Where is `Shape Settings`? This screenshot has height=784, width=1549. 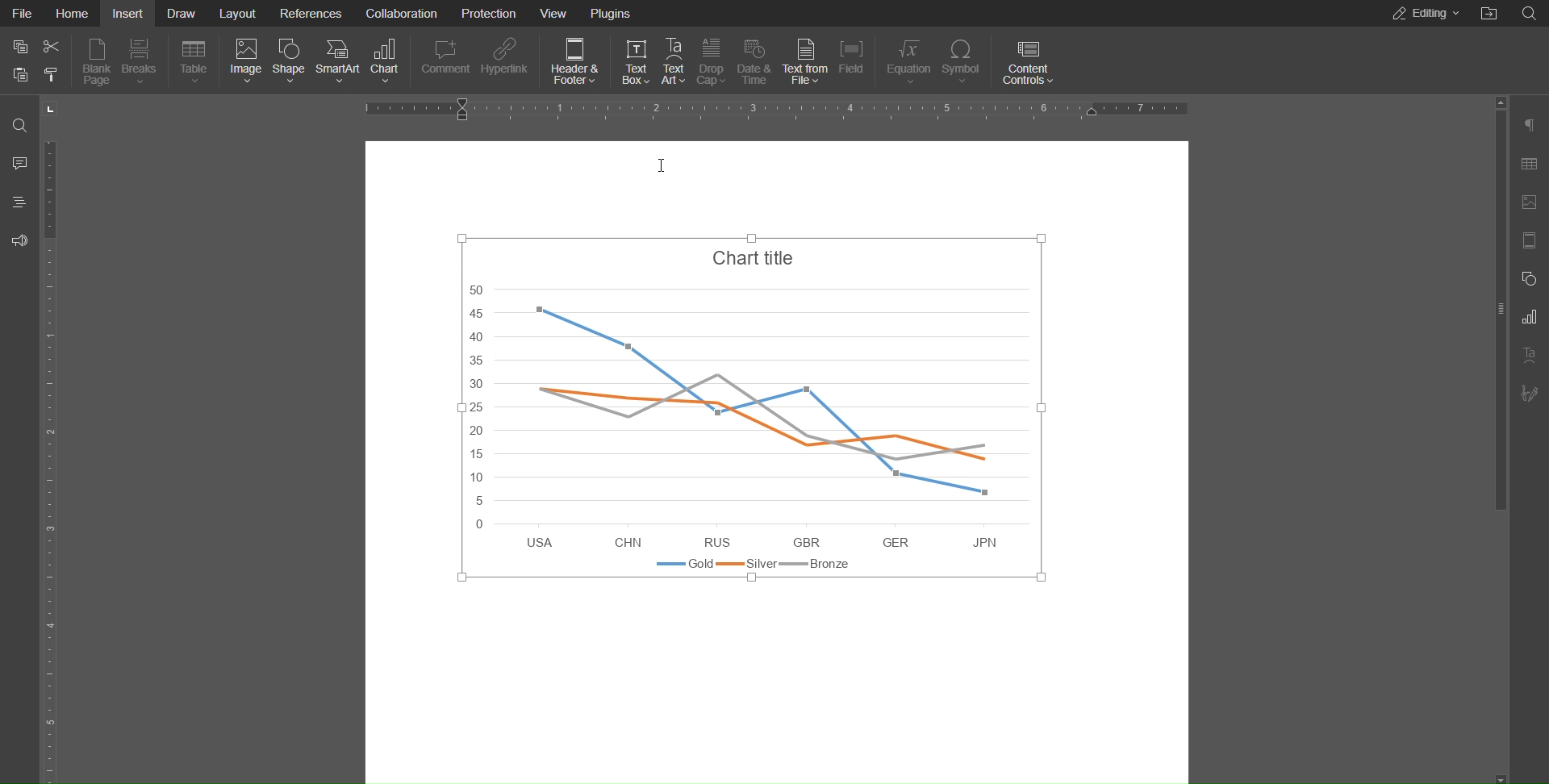
Shape Settings is located at coordinates (1530, 279).